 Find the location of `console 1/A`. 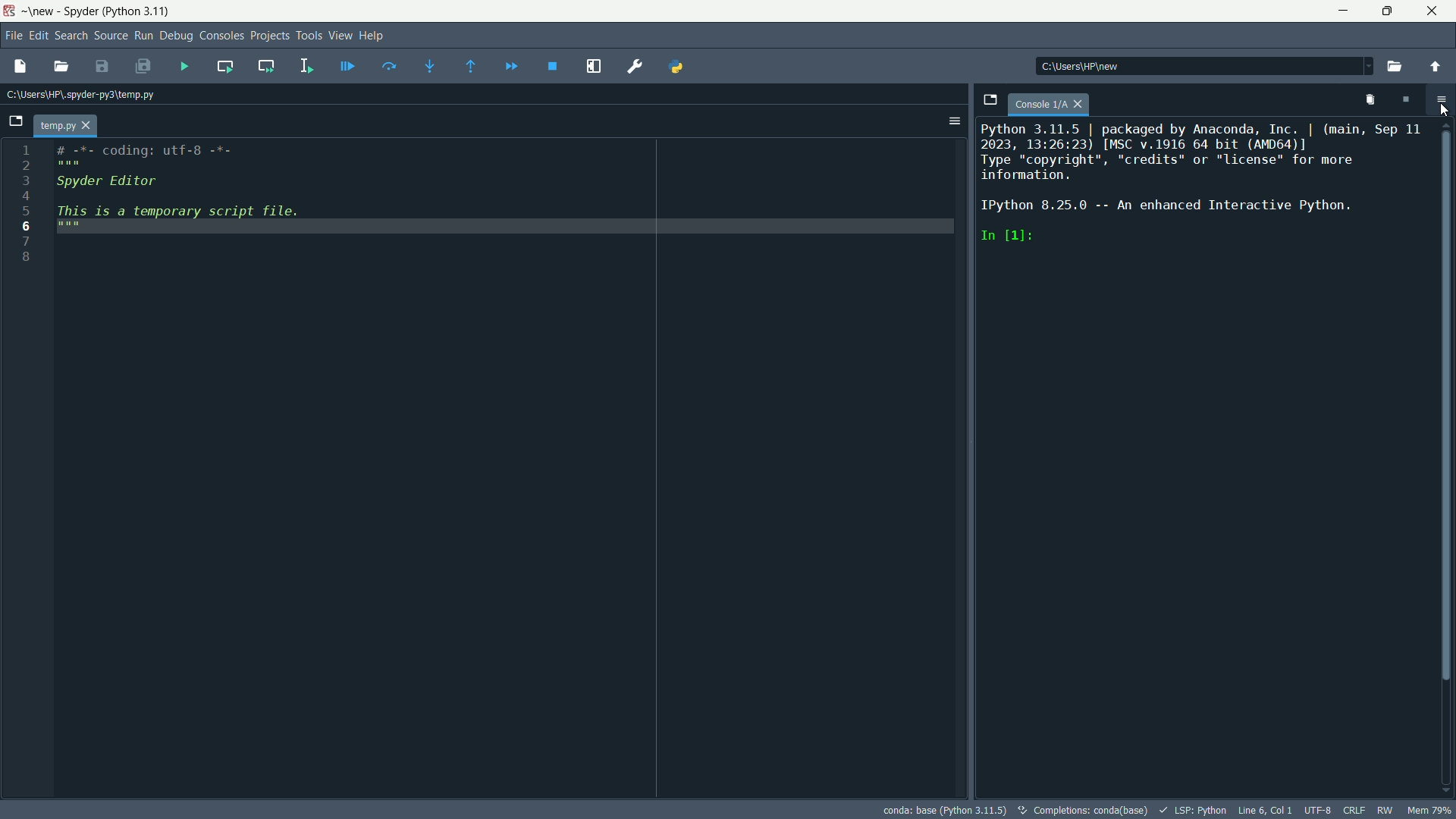

console 1/A is located at coordinates (1051, 103).